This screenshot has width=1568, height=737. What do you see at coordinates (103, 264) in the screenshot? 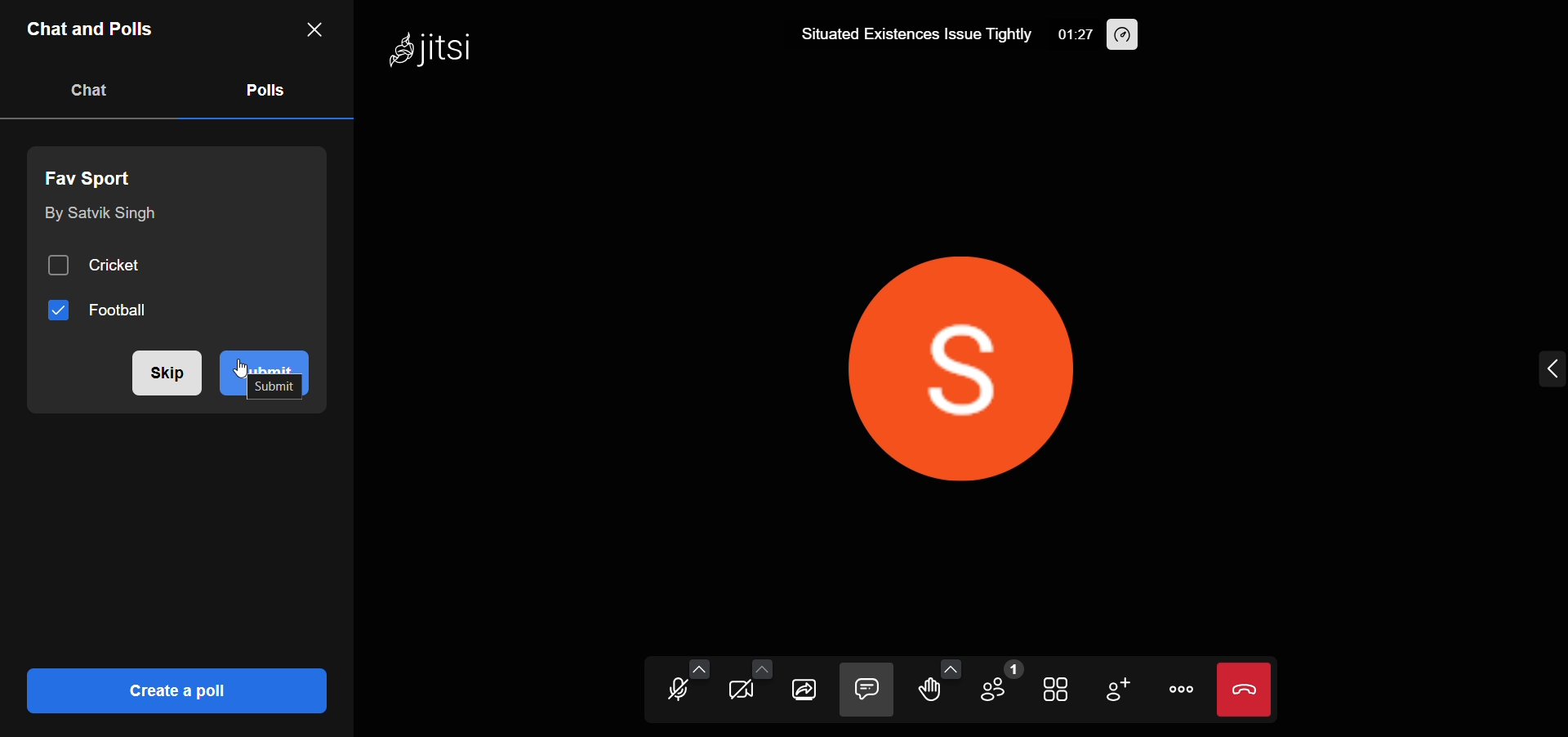
I see `Cricket` at bounding box center [103, 264].